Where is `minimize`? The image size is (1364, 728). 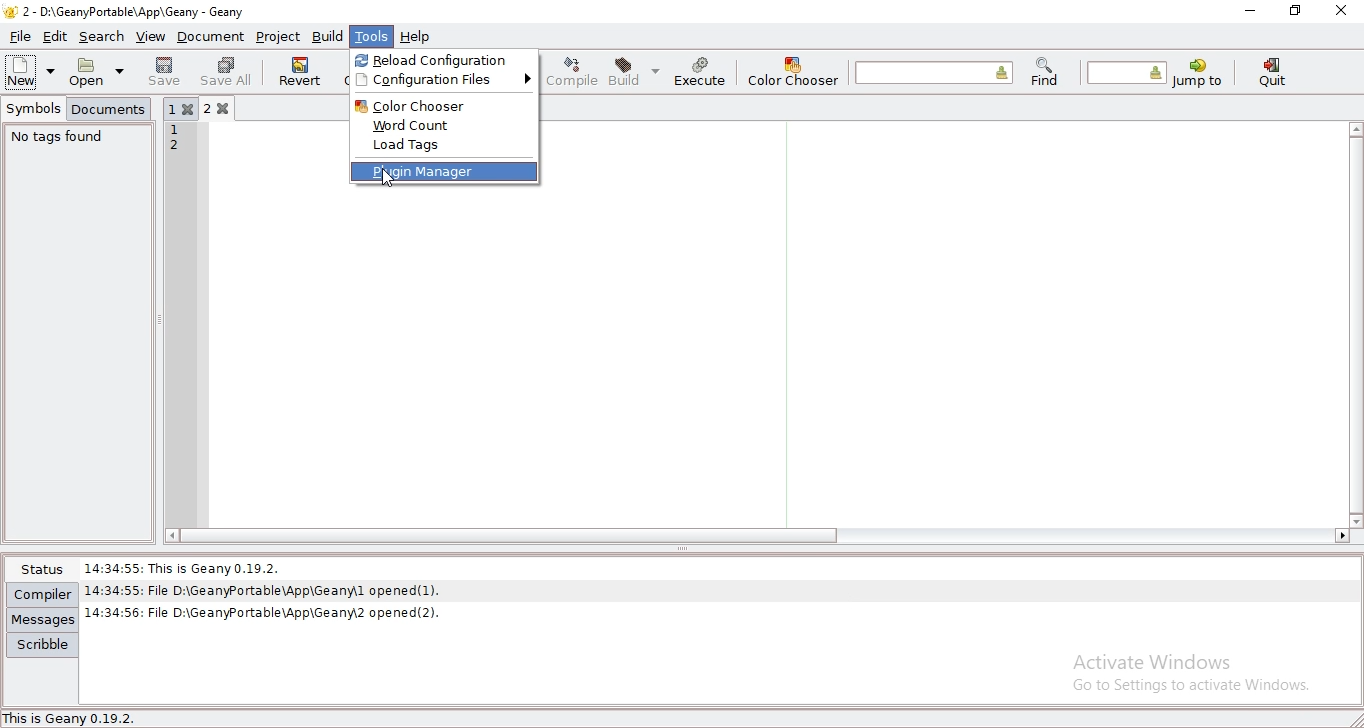 minimize is located at coordinates (1250, 11).